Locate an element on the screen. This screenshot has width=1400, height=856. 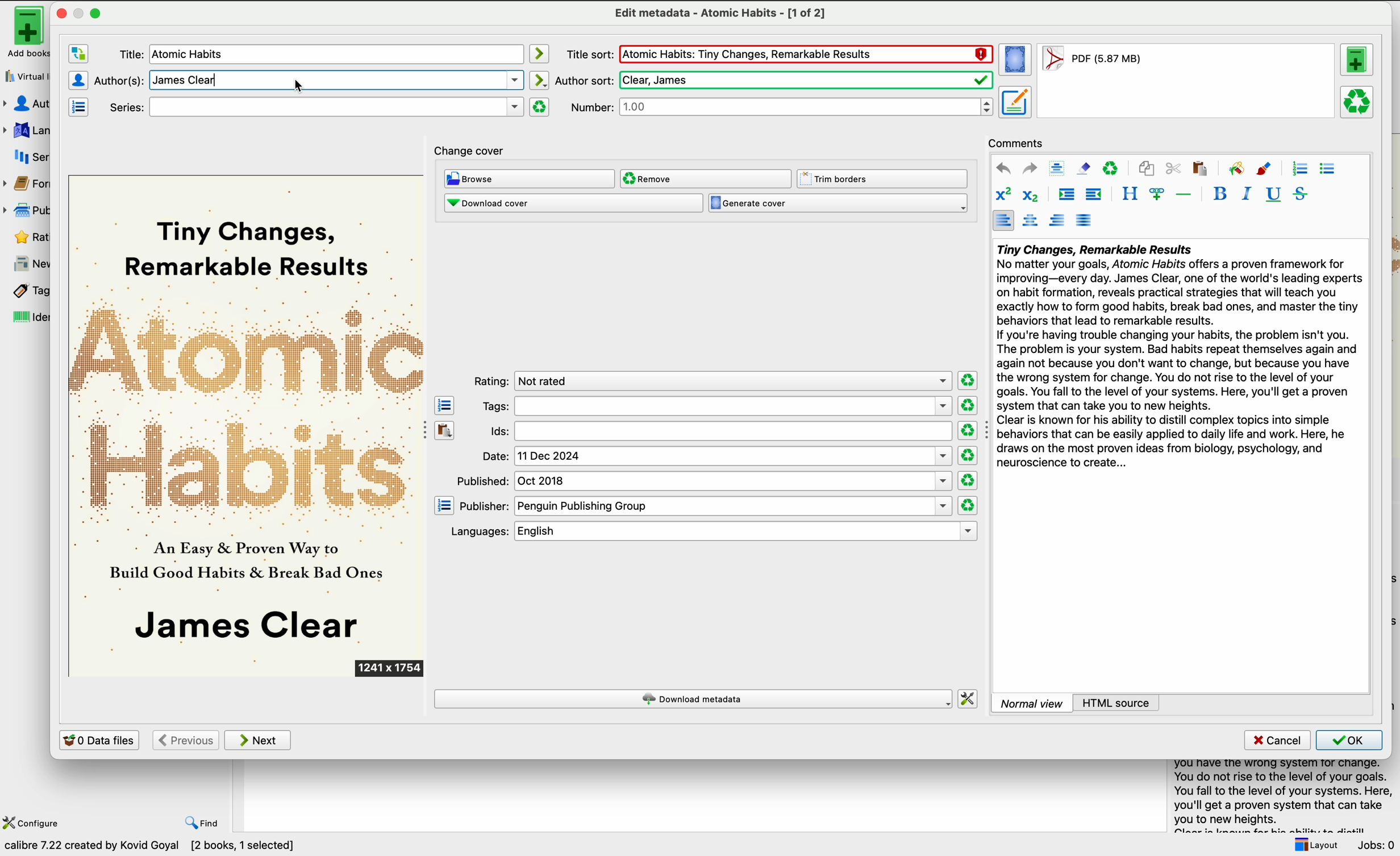
title sort: is located at coordinates (589, 54).